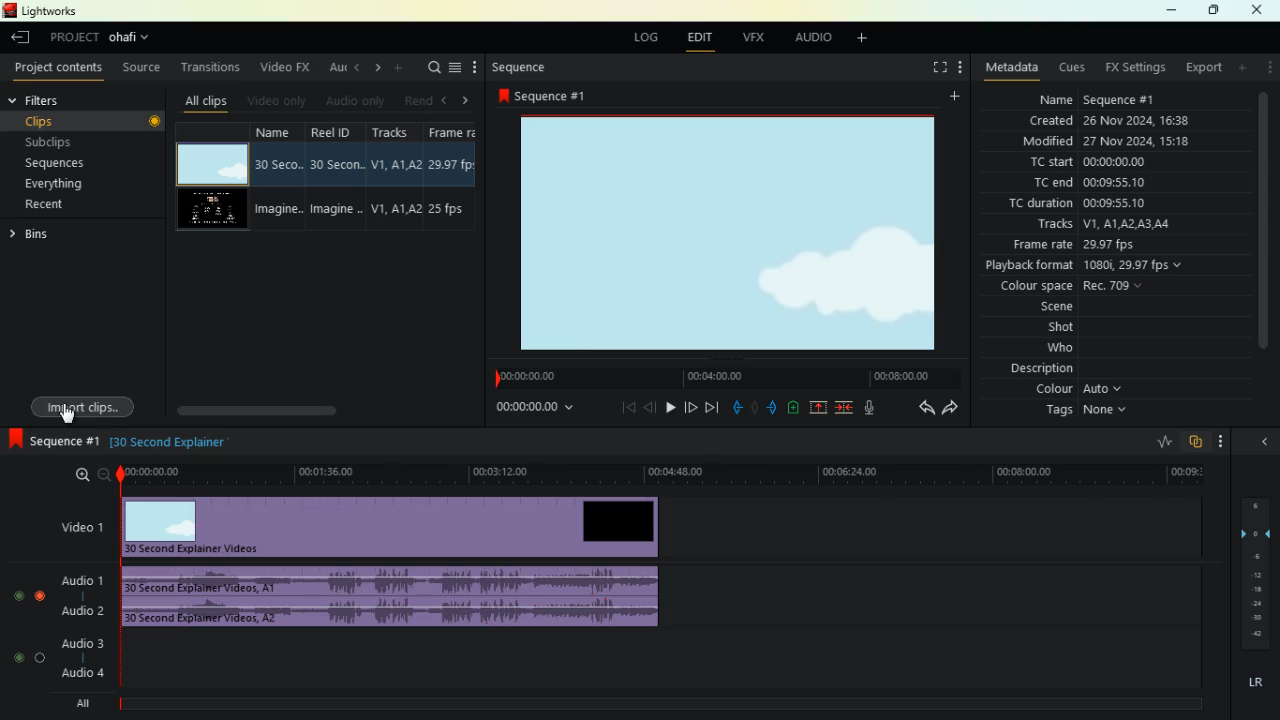 This screenshot has width=1280, height=720. What do you see at coordinates (869, 40) in the screenshot?
I see `add` at bounding box center [869, 40].